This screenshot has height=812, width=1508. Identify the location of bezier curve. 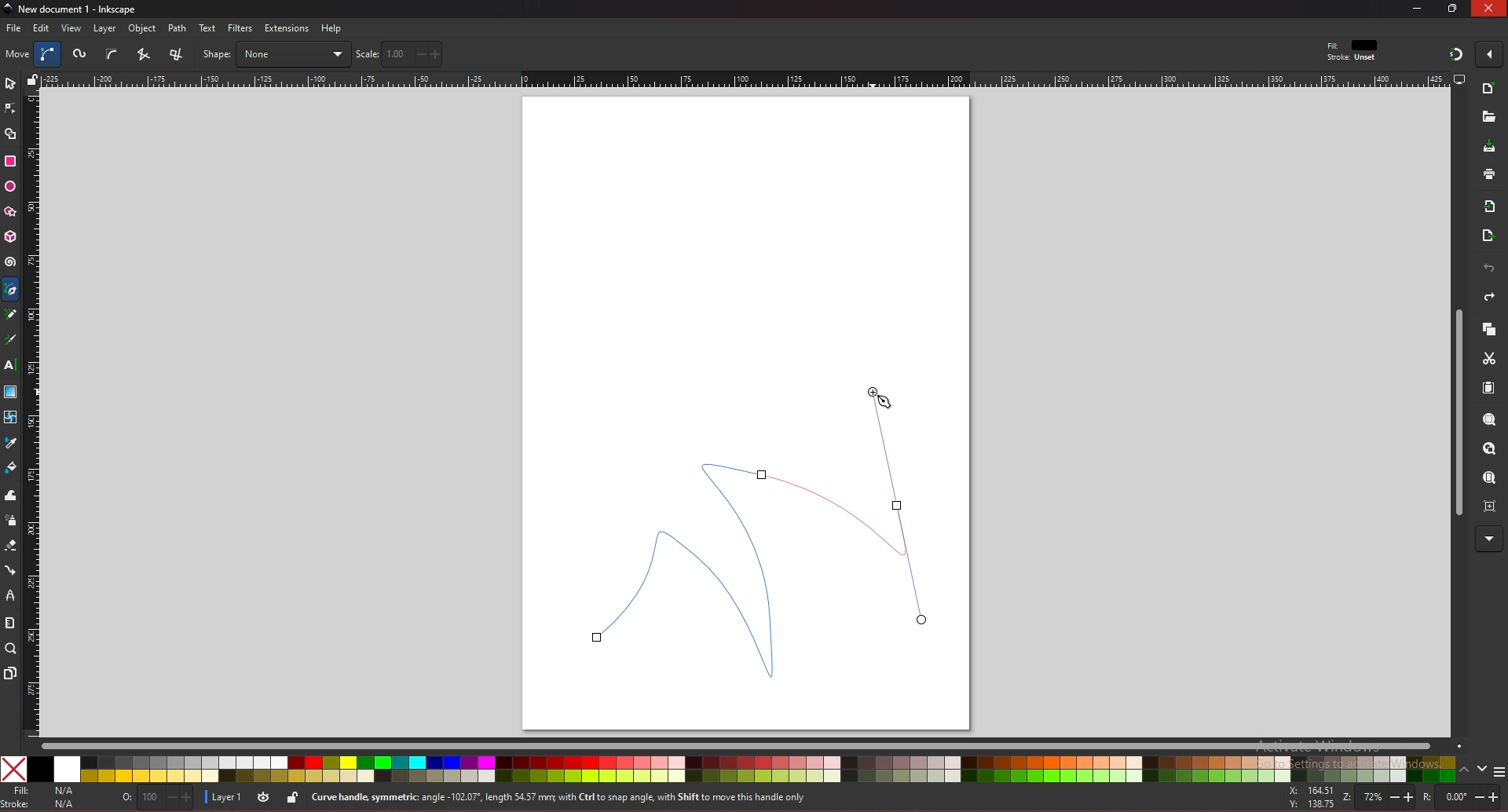
(49, 54).